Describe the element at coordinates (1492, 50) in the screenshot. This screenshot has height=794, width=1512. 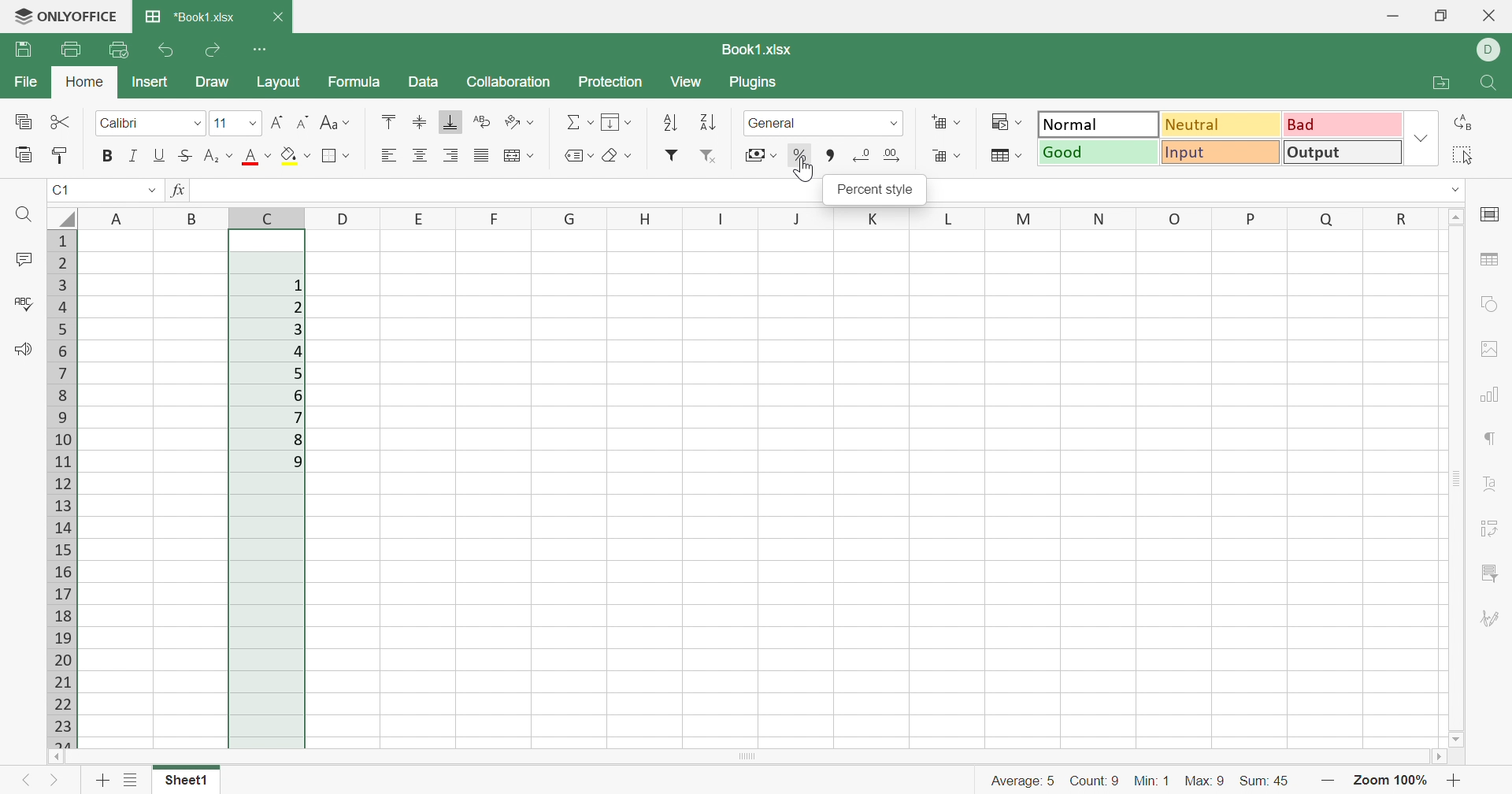
I see `D` at that location.